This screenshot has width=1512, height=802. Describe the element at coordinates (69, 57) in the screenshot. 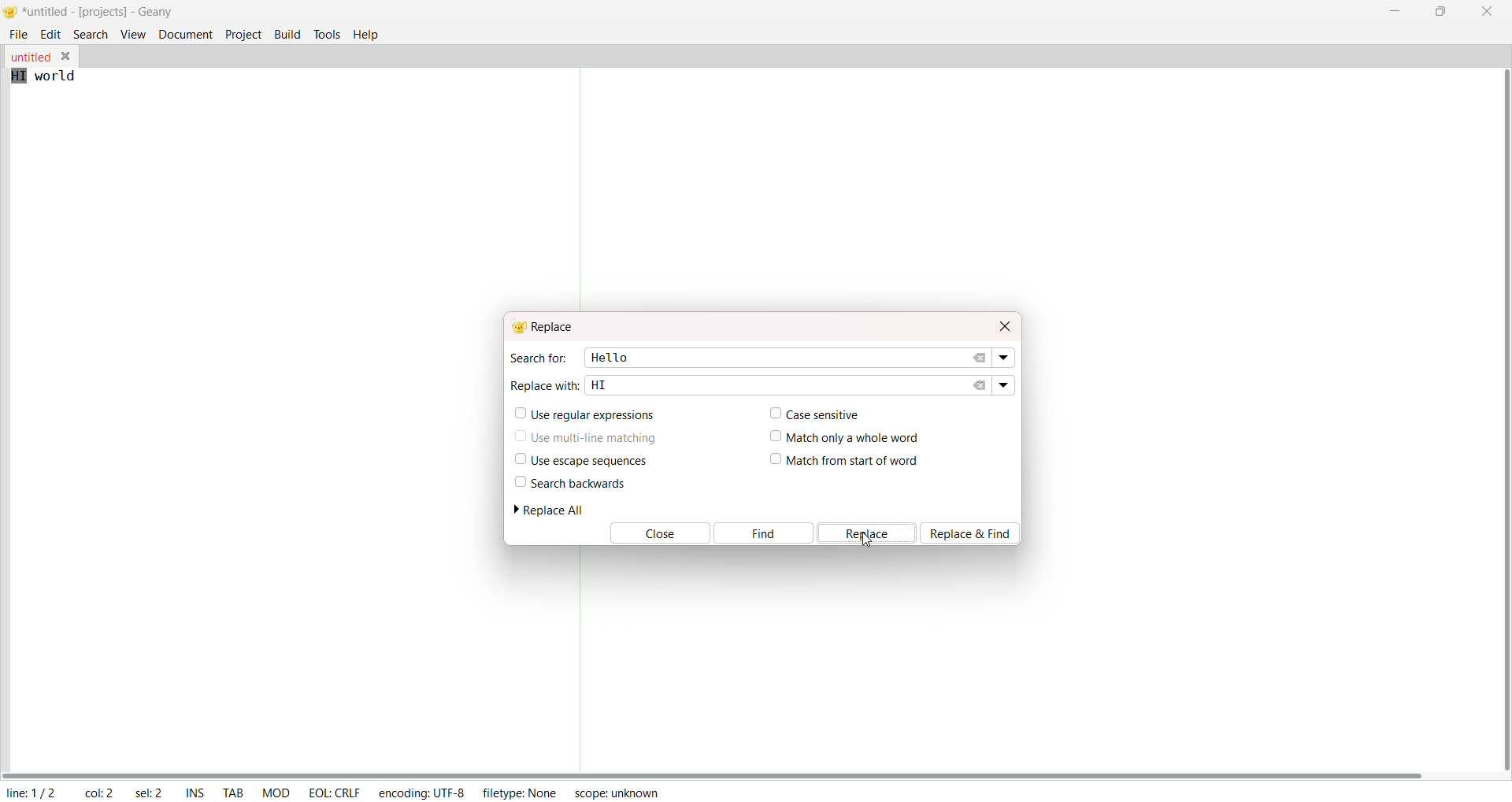

I see `close tab` at that location.